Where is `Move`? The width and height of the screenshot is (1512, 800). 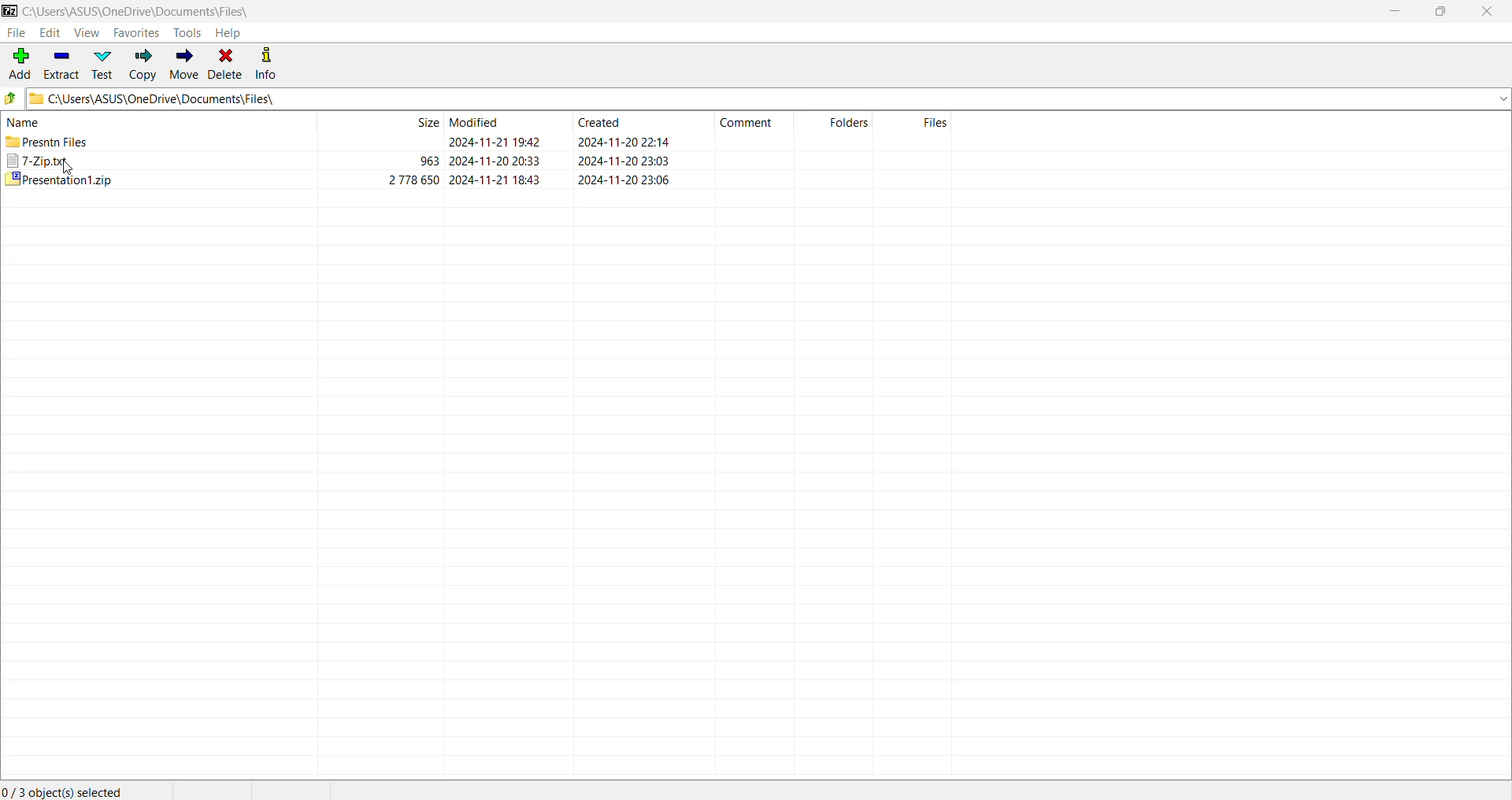
Move is located at coordinates (183, 65).